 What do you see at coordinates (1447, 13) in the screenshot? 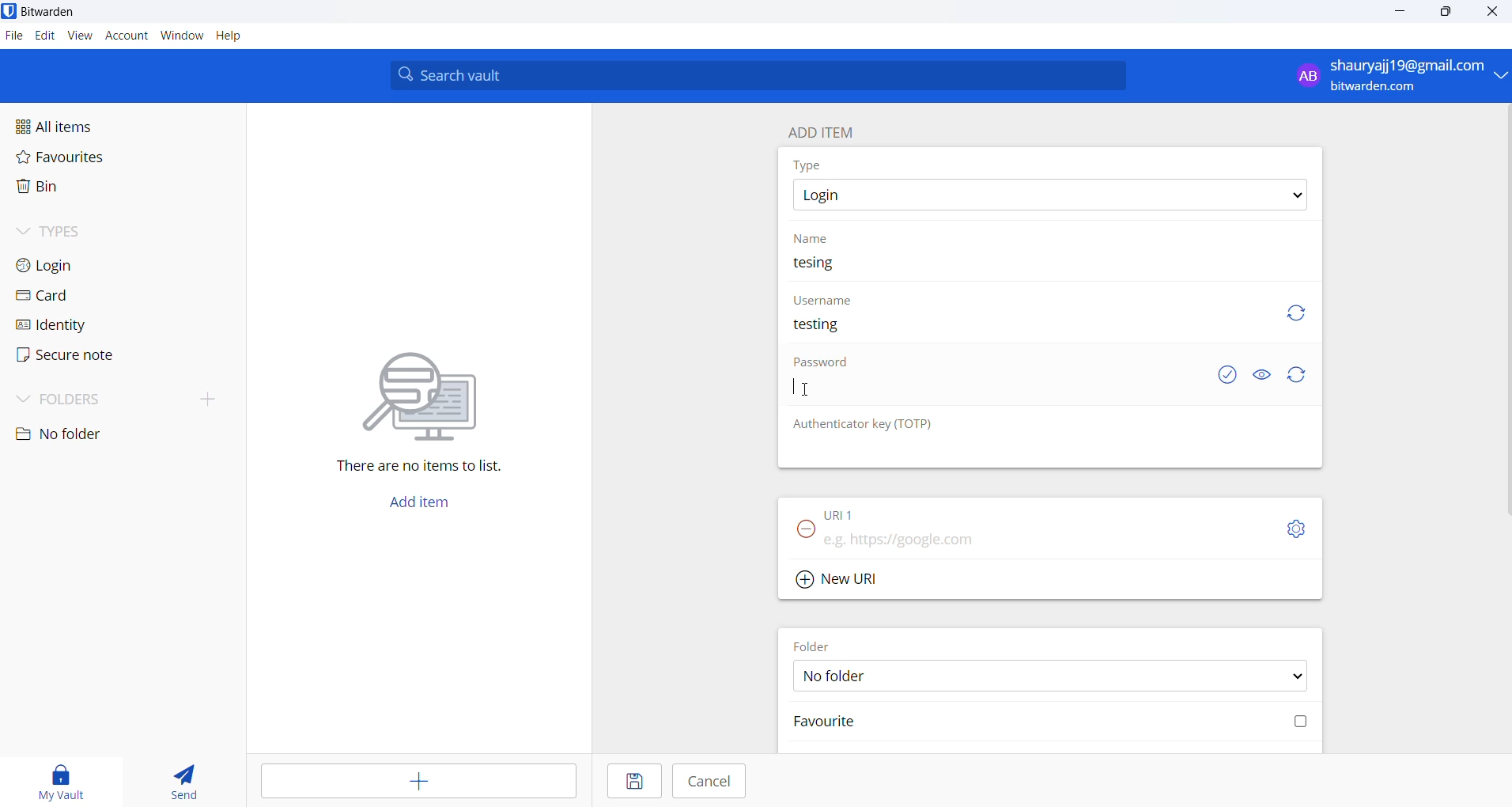
I see `maximize` at bounding box center [1447, 13].